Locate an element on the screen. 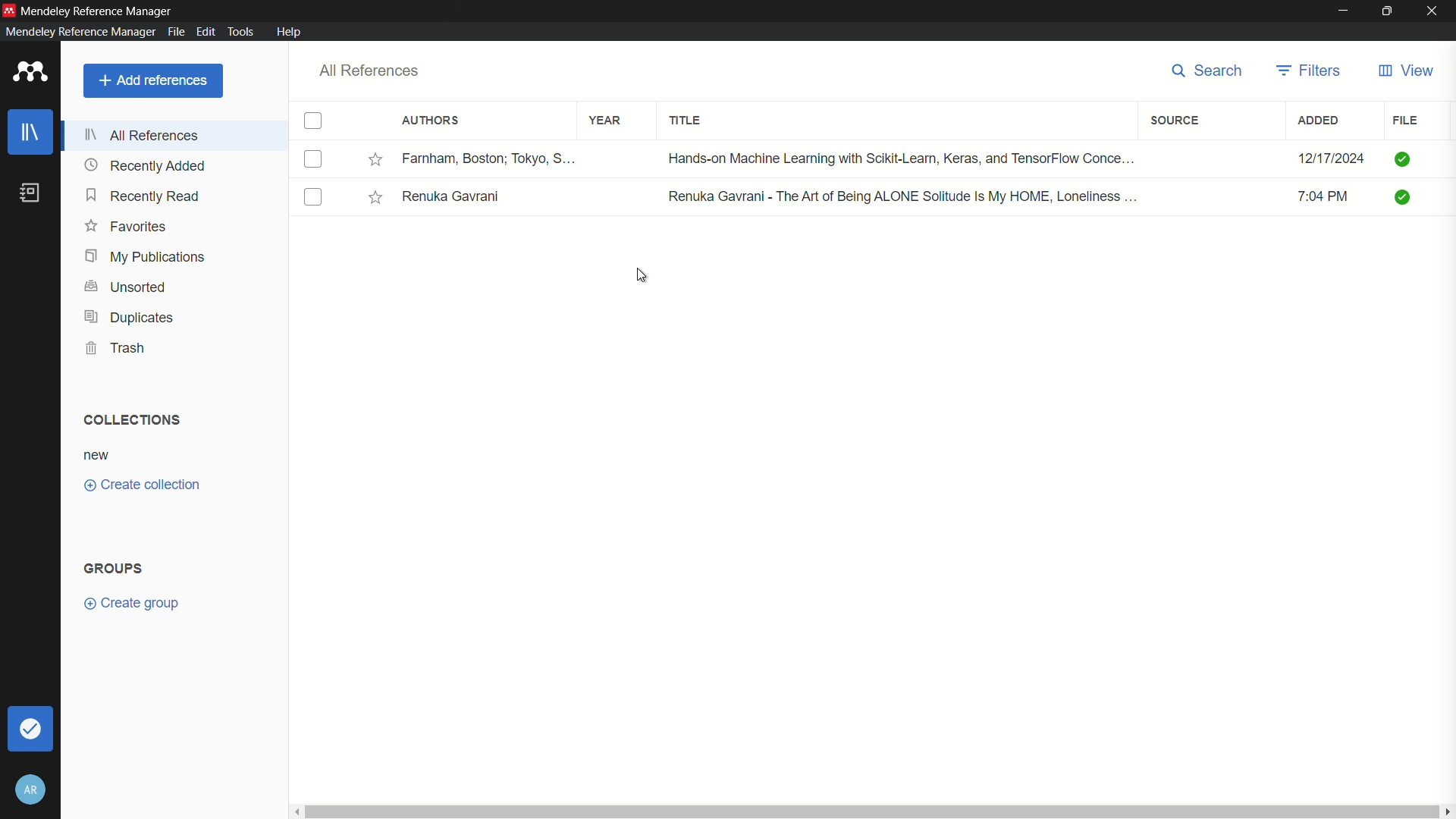  recently added is located at coordinates (143, 165).